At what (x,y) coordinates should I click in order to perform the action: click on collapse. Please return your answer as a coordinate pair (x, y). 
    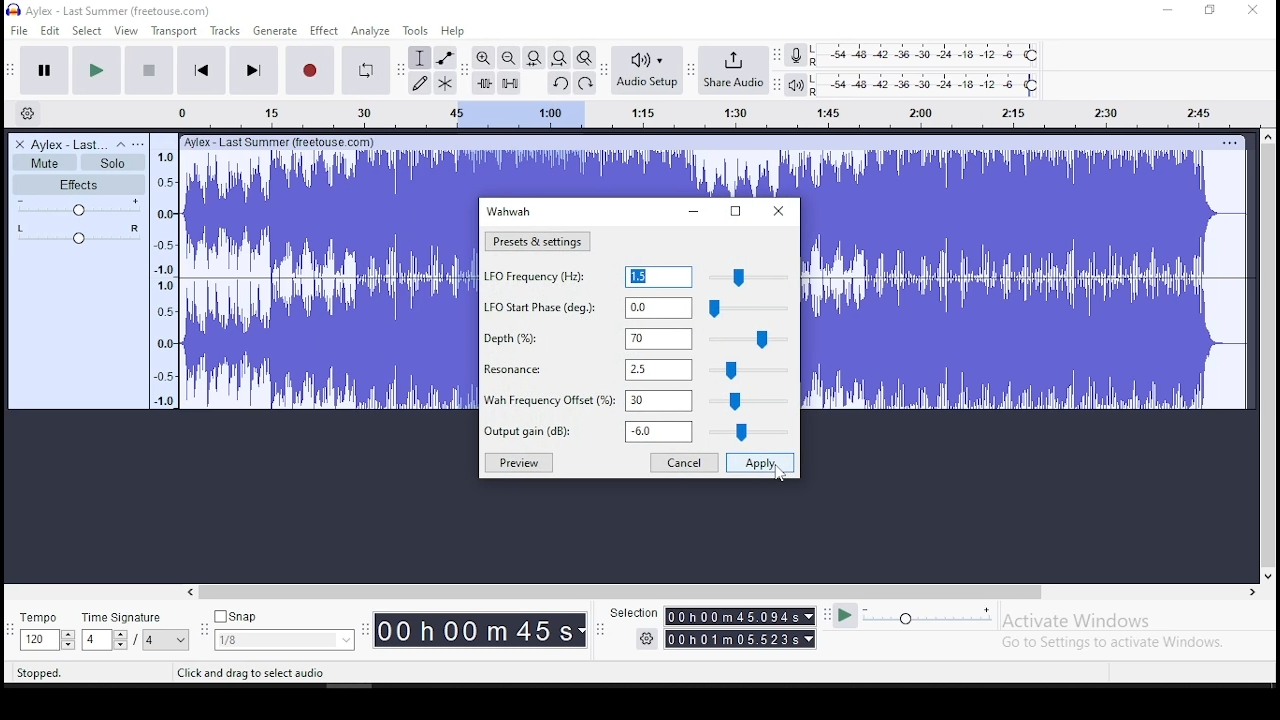
    Looking at the image, I should click on (120, 145).